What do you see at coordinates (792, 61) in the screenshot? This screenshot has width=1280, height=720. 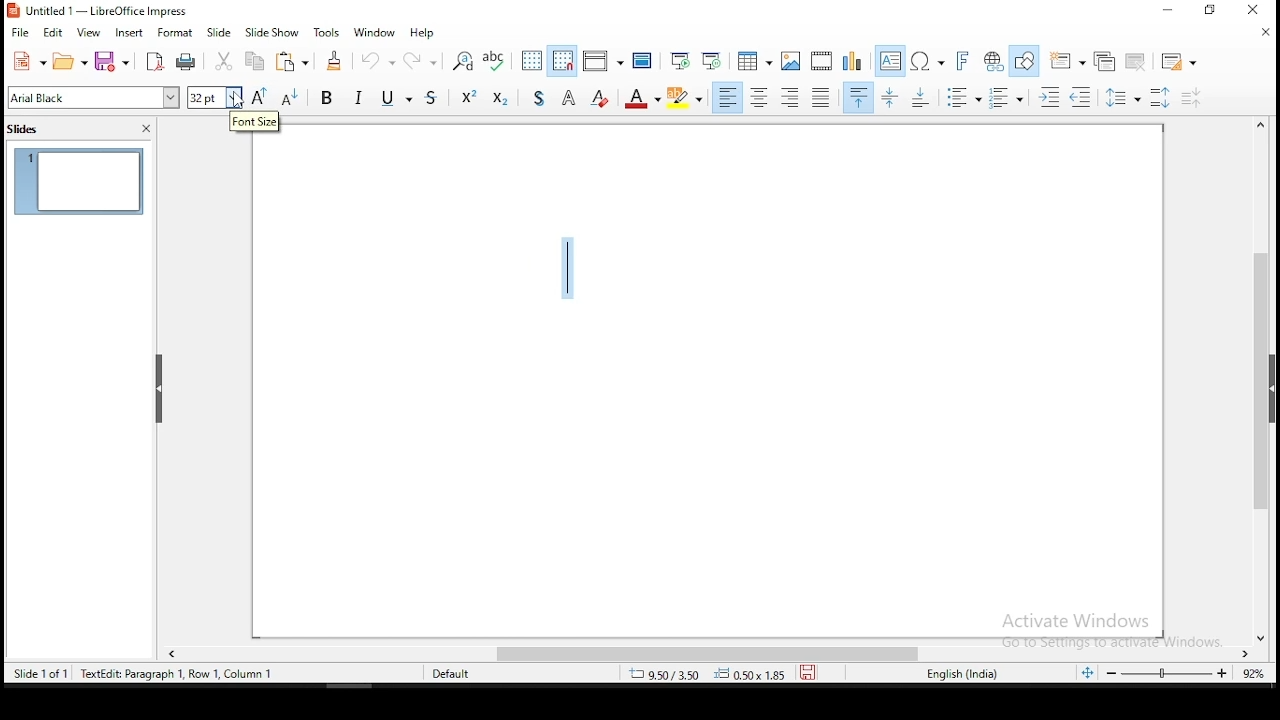 I see `image` at bounding box center [792, 61].